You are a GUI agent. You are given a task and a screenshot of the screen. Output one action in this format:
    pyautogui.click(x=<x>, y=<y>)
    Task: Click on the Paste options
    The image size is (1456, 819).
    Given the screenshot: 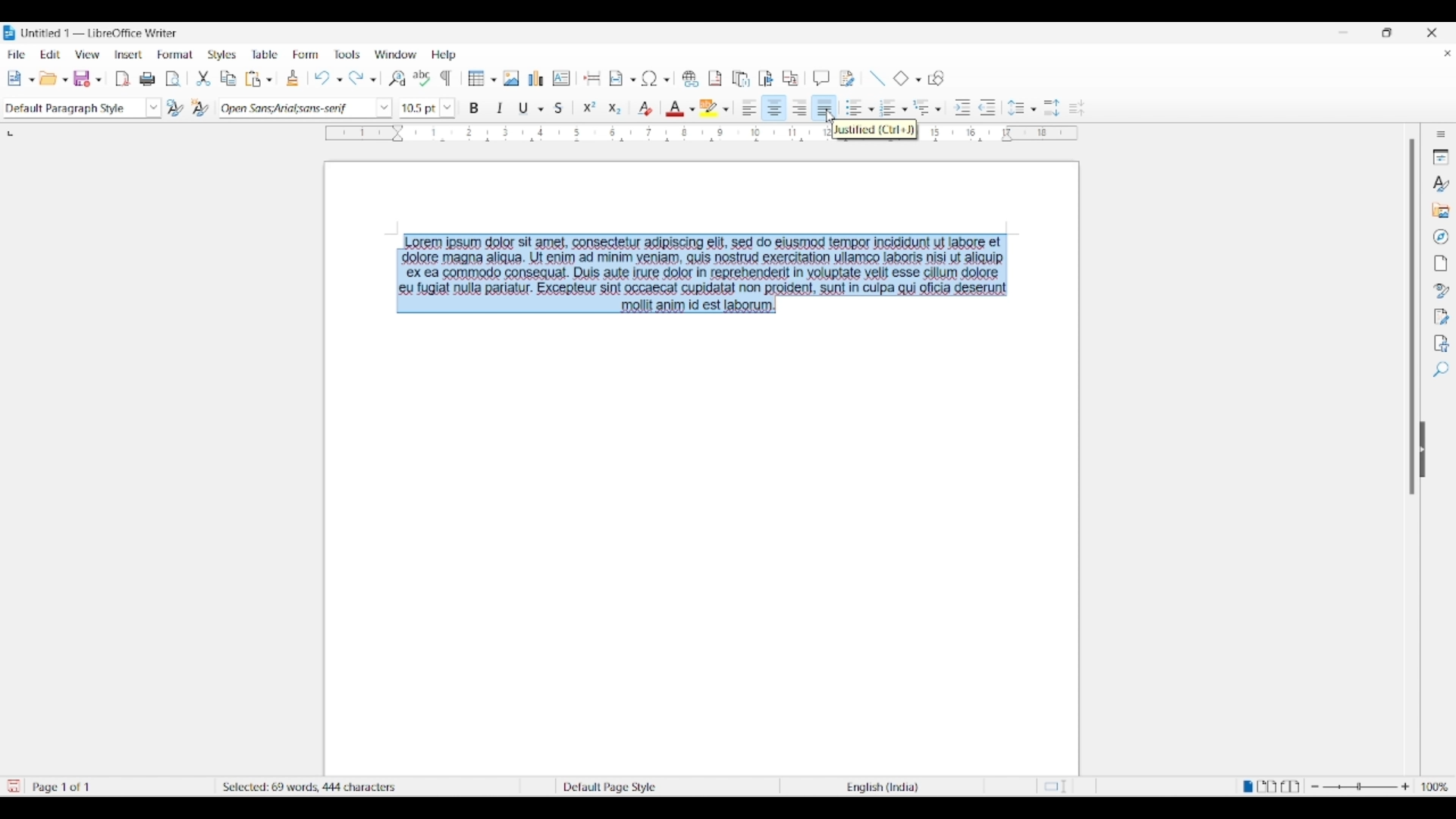 What is the action you would take?
    pyautogui.click(x=269, y=79)
    